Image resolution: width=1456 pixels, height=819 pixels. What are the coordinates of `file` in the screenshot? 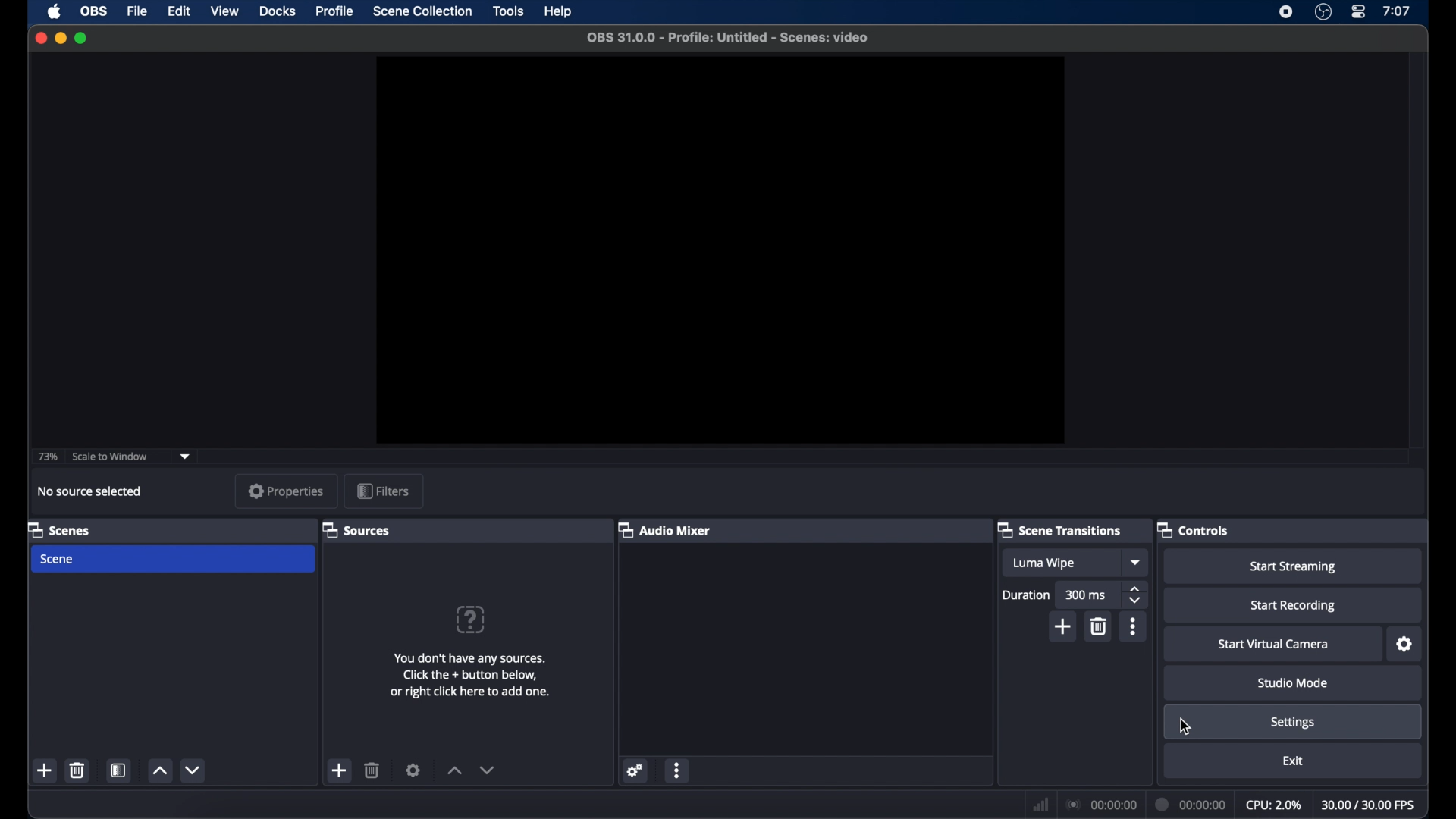 It's located at (138, 11).